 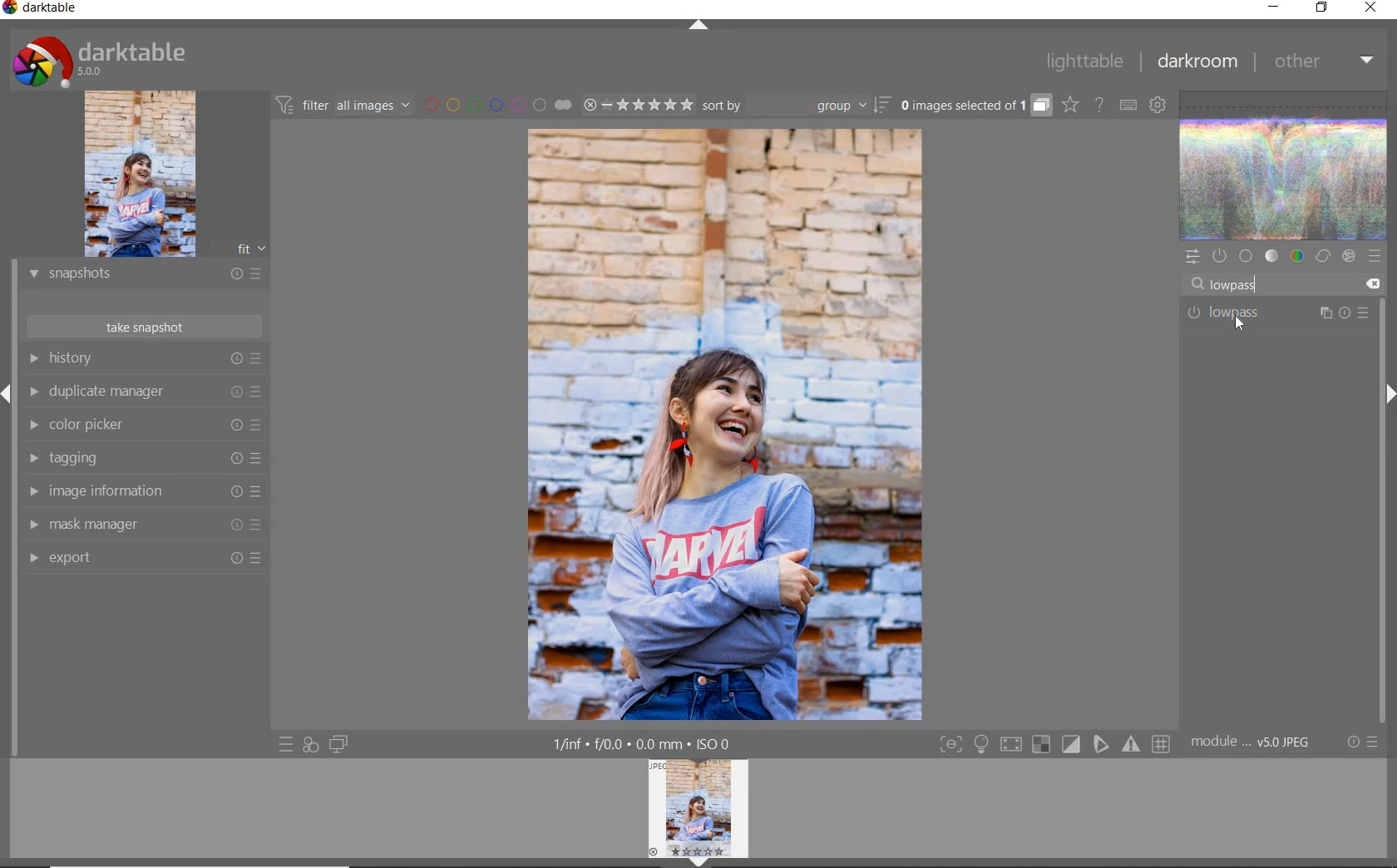 I want to click on quick access for applying any of your styles, so click(x=311, y=744).